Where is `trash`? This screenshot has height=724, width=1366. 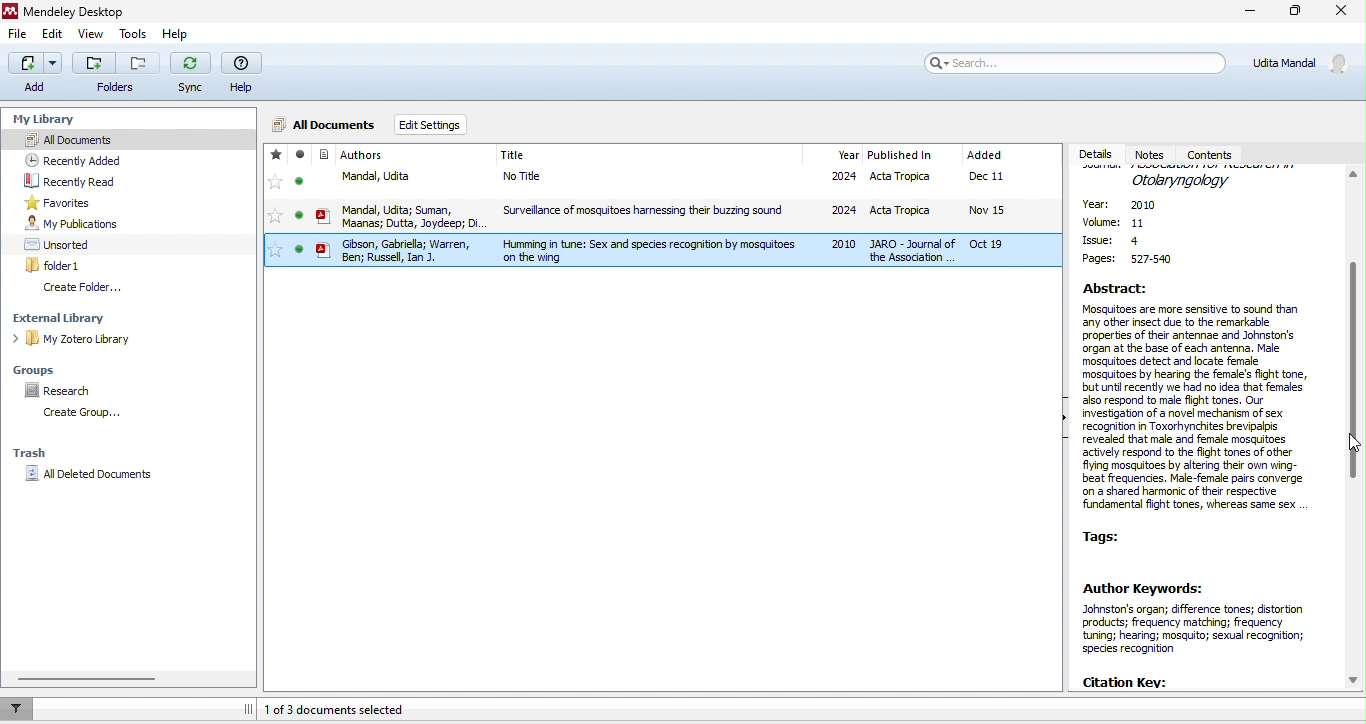
trash is located at coordinates (32, 455).